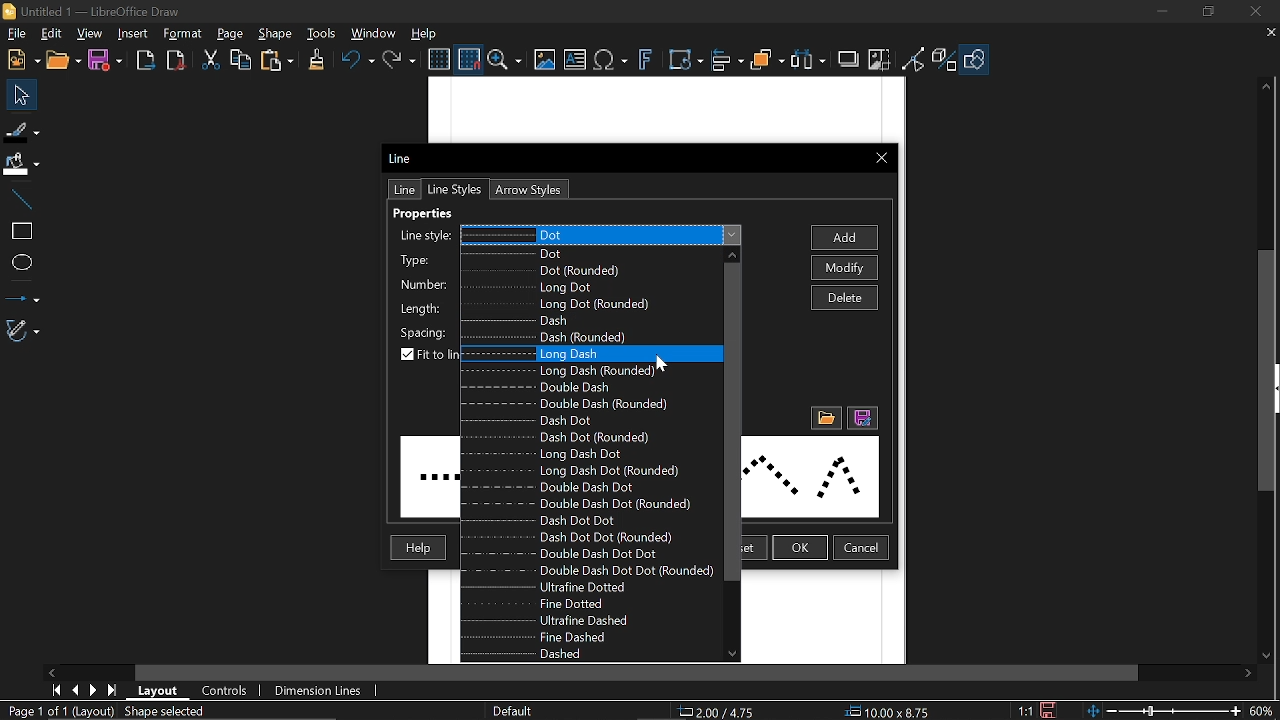 This screenshot has height=720, width=1280. I want to click on Long dash, so click(585, 353).